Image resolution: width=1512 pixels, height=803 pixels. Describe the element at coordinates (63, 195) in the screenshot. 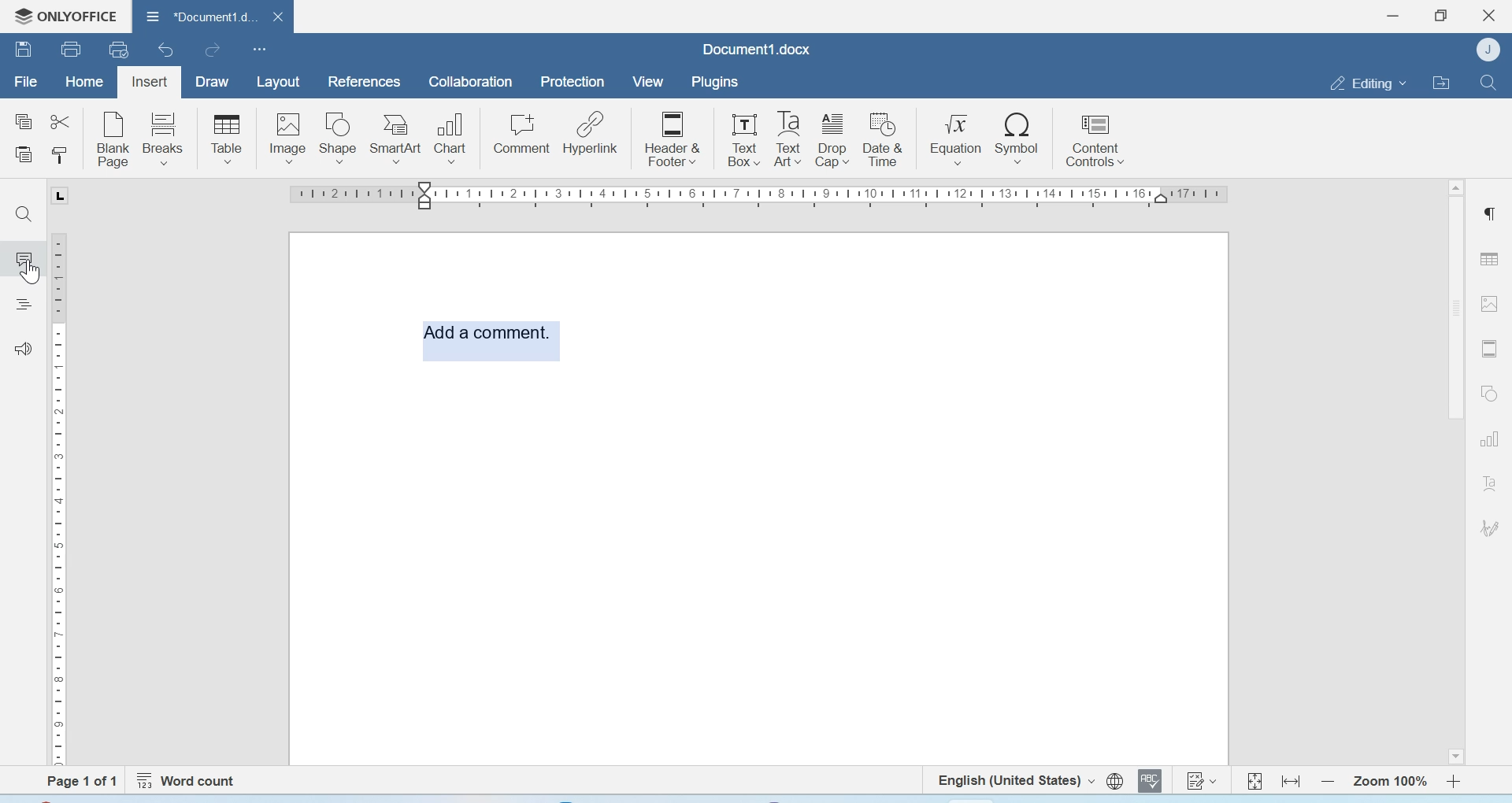

I see `tab stop marker` at that location.